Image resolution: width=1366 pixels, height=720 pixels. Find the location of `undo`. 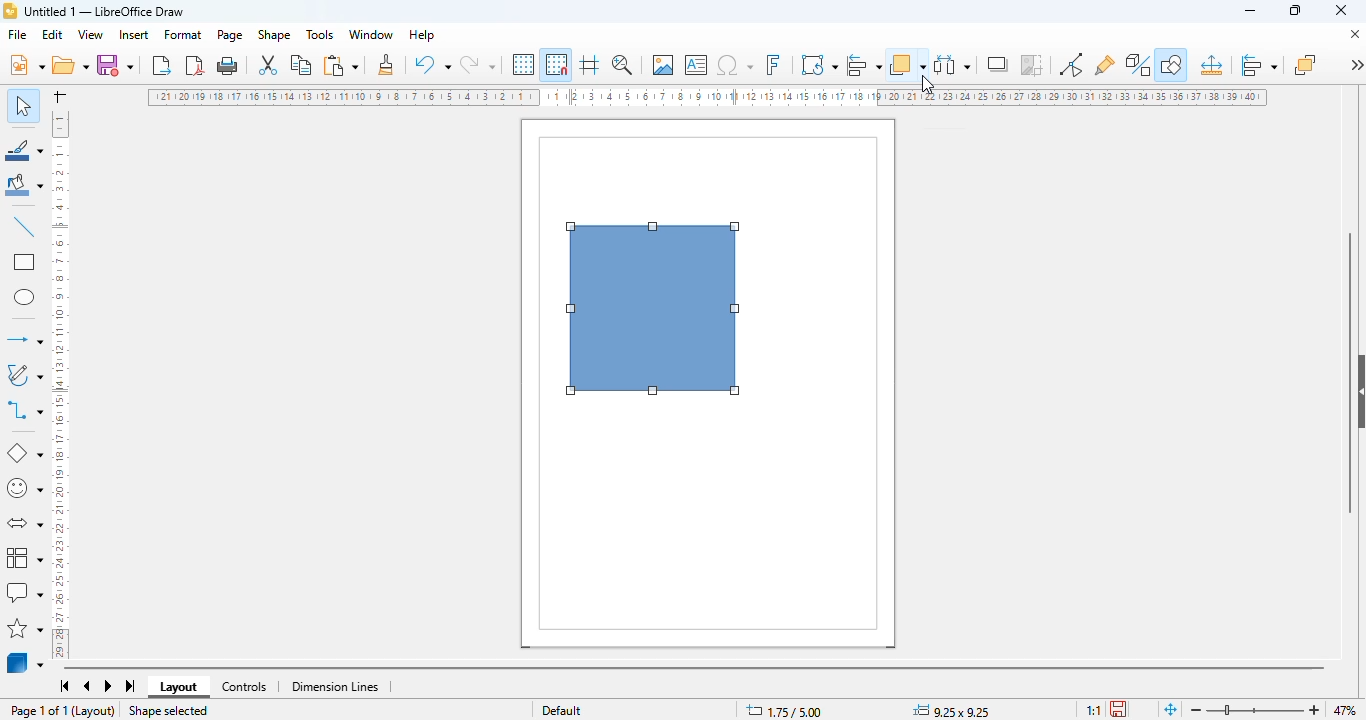

undo is located at coordinates (433, 64).